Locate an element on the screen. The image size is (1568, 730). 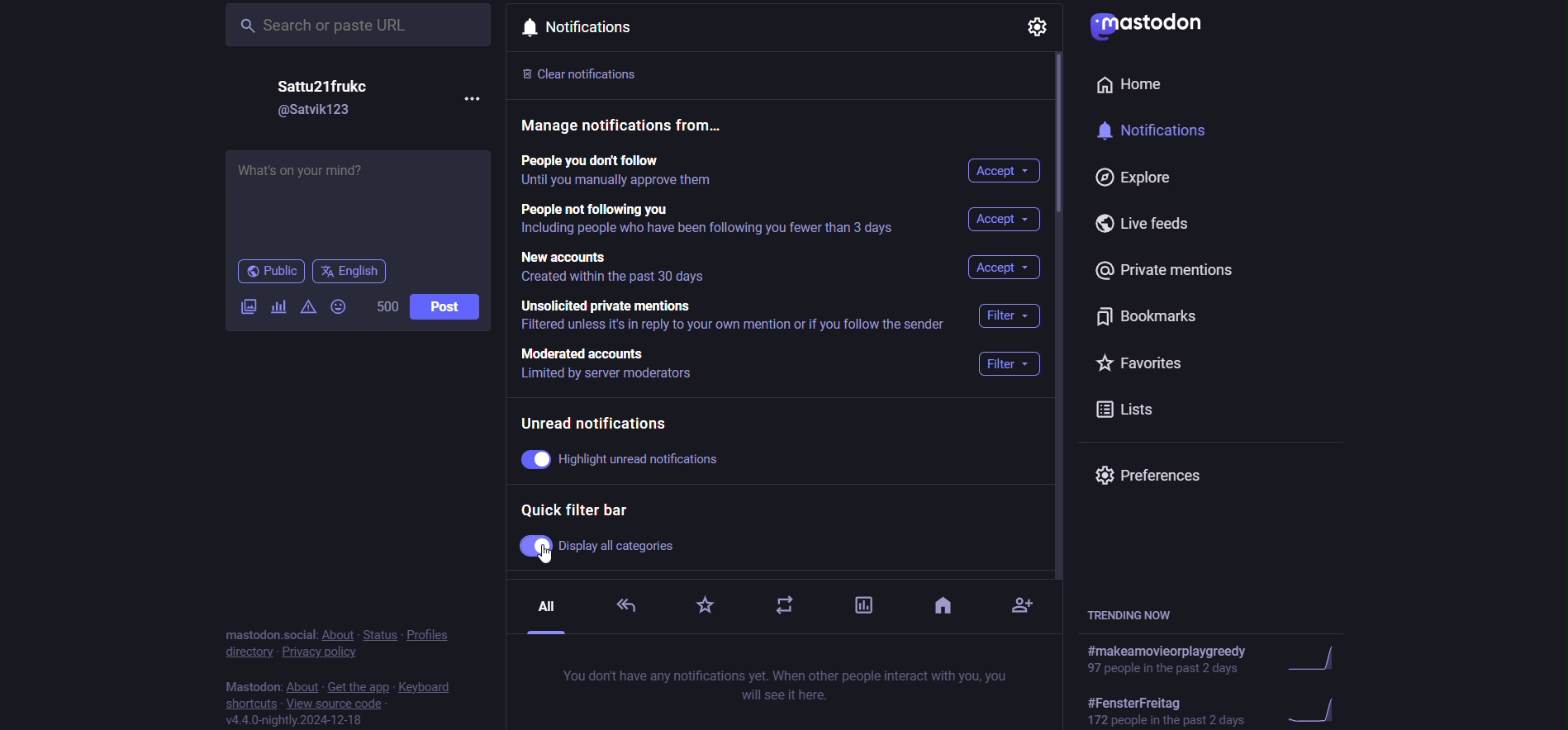
private mention is located at coordinates (1163, 268).